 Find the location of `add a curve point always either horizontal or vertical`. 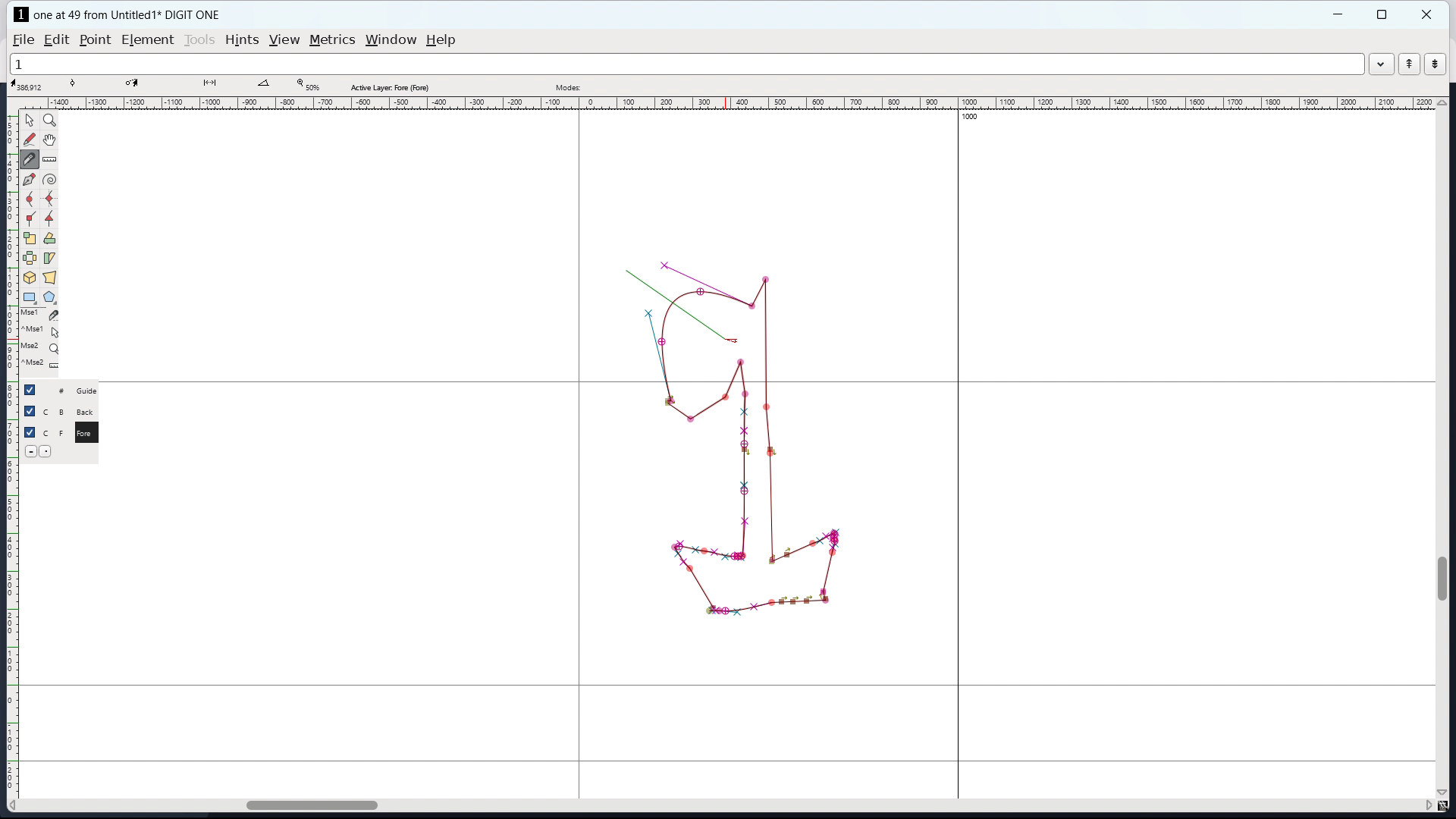

add a curve point always either horizontal or vertical is located at coordinates (49, 199).